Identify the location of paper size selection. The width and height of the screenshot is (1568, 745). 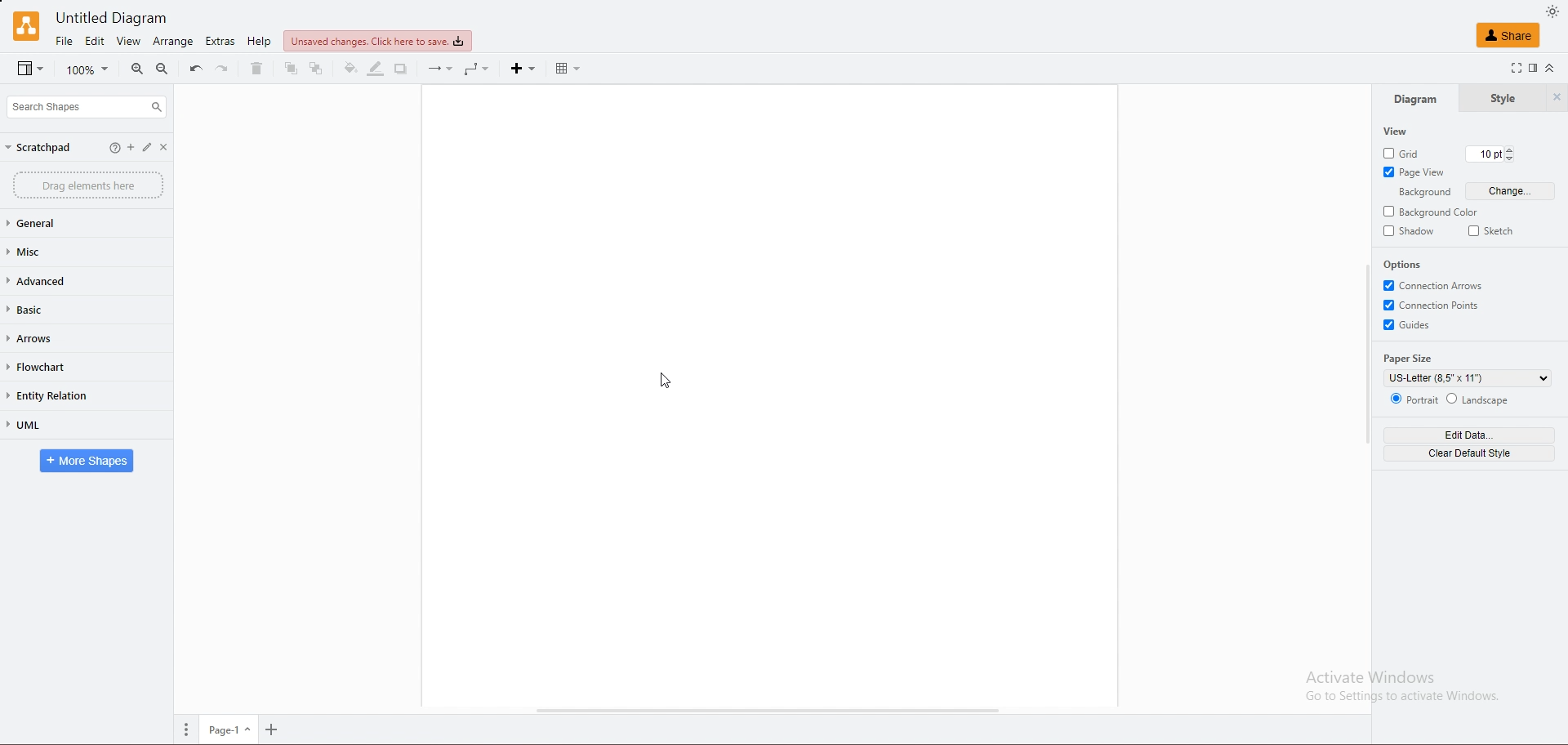
(1469, 378).